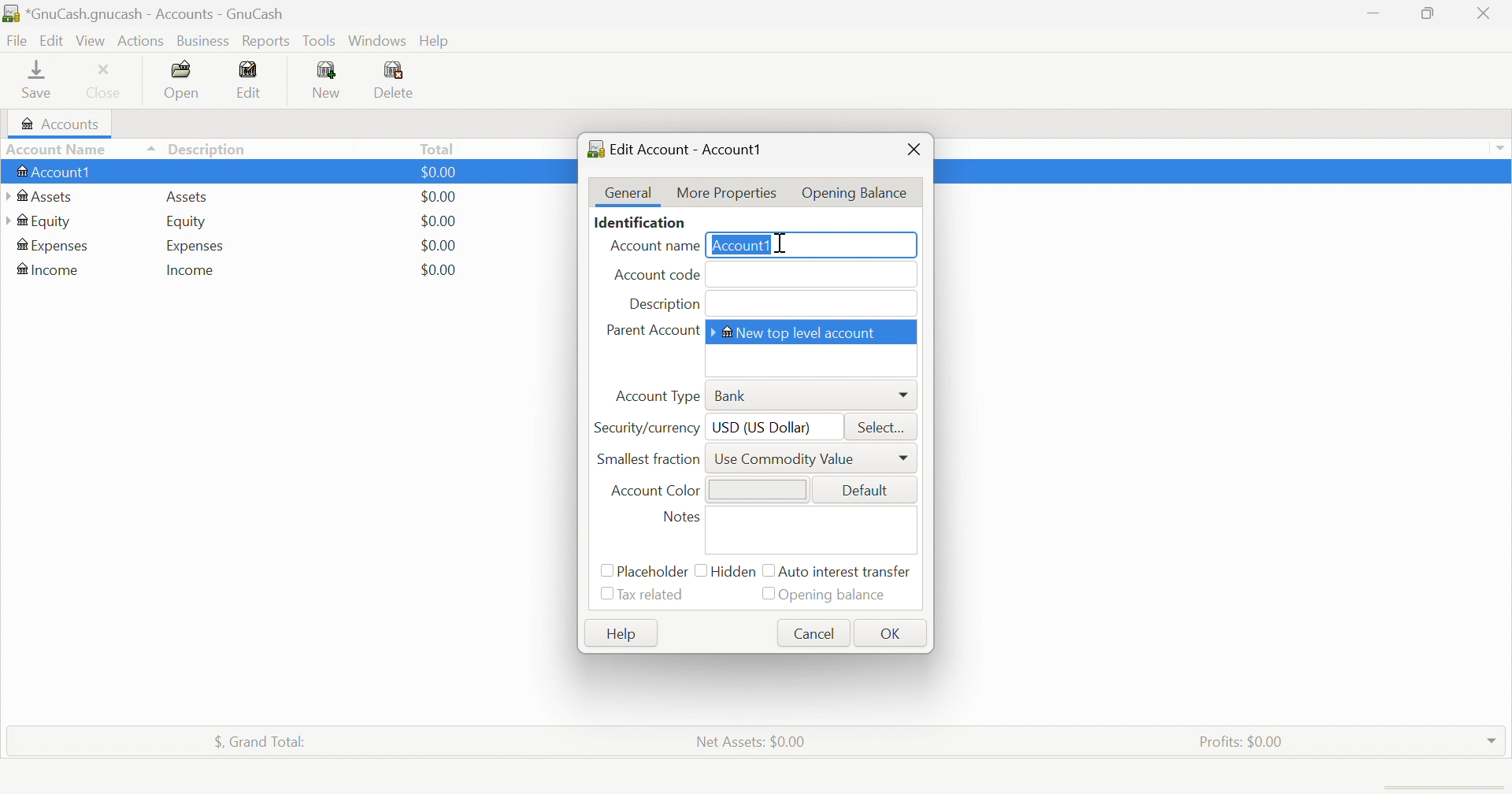 The image size is (1512, 794). What do you see at coordinates (376, 39) in the screenshot?
I see `Windows` at bounding box center [376, 39].